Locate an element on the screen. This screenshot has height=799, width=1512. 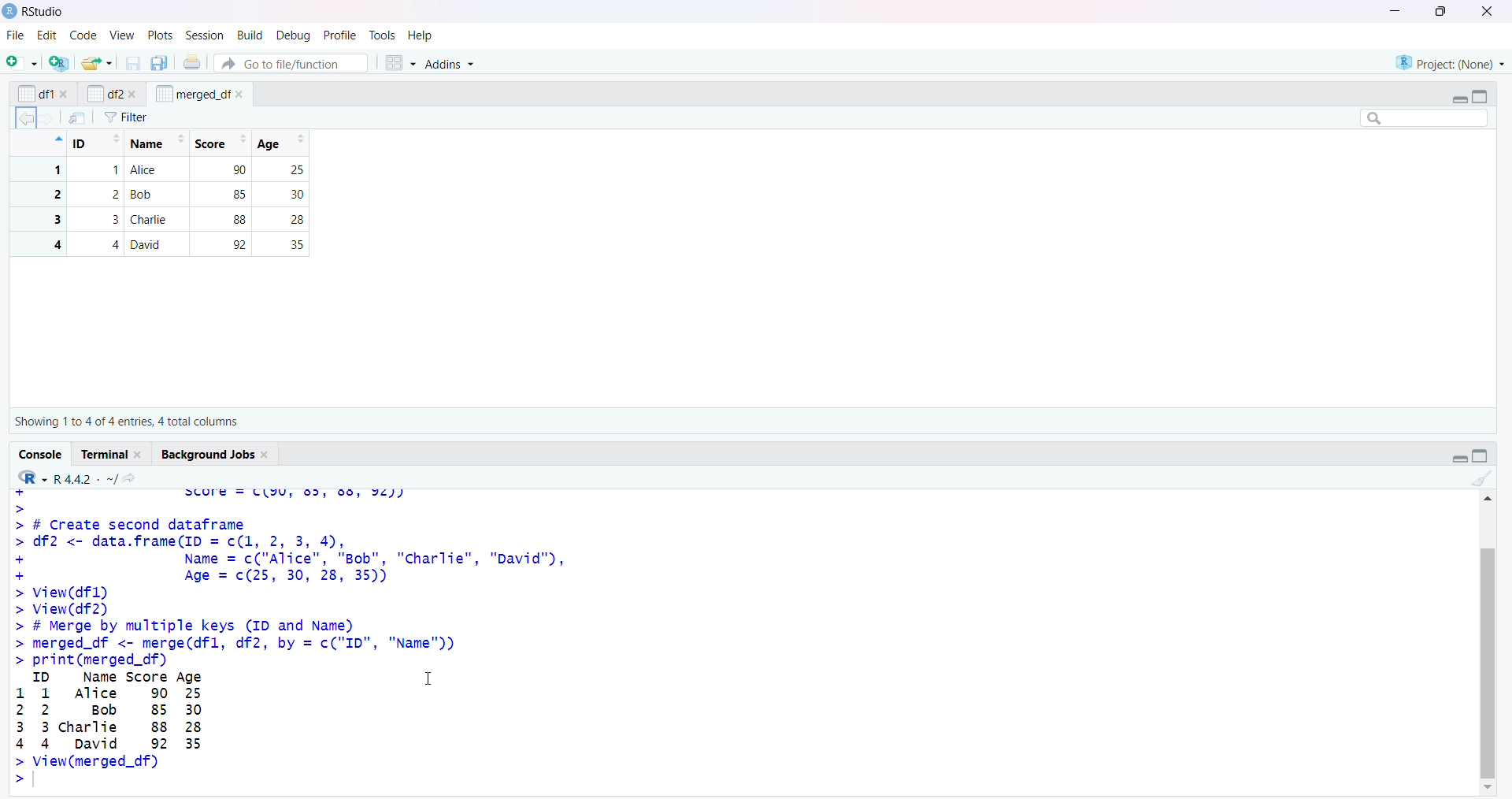
Background jobs is located at coordinates (208, 455).